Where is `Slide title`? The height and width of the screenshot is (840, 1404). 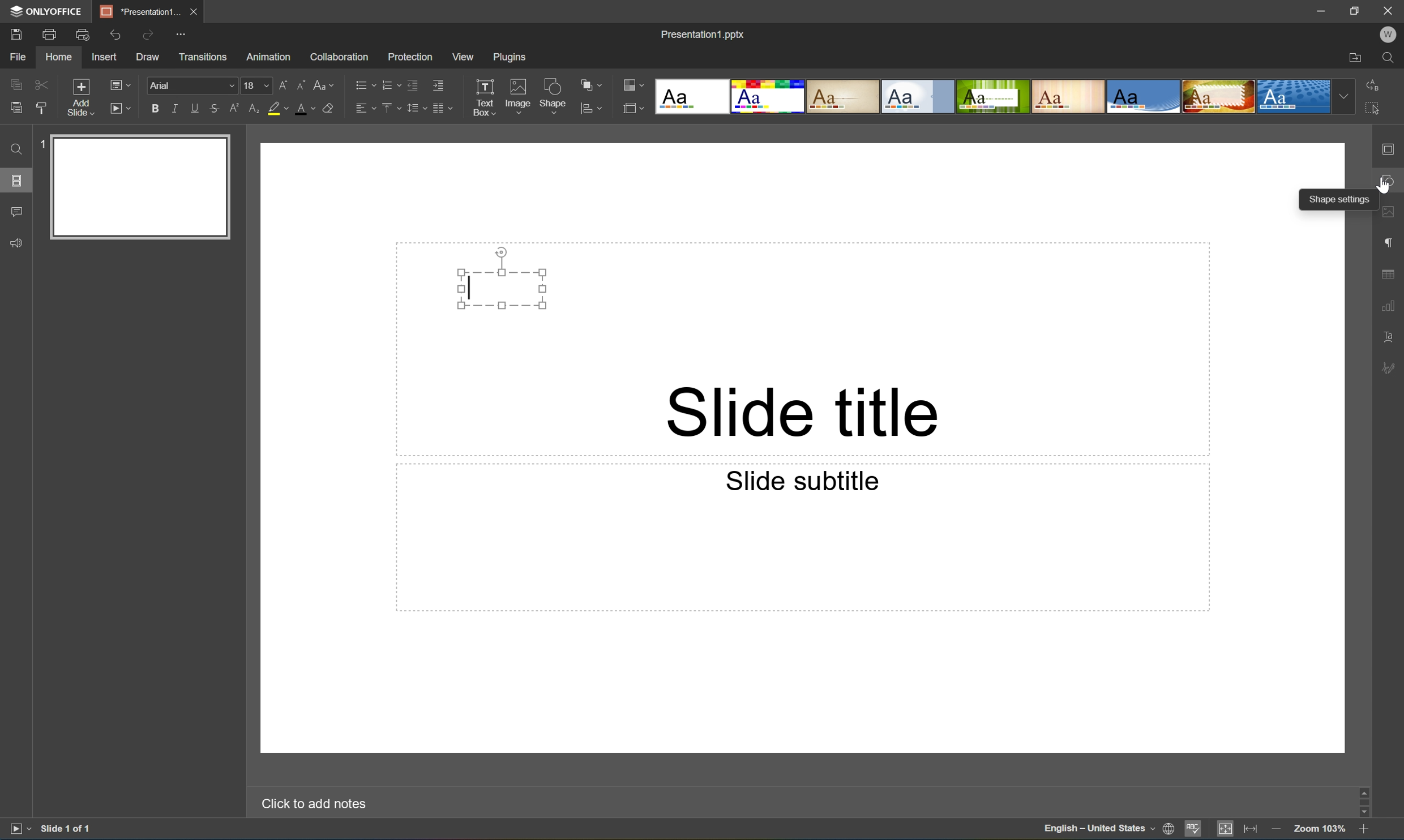
Slide title is located at coordinates (801, 412).